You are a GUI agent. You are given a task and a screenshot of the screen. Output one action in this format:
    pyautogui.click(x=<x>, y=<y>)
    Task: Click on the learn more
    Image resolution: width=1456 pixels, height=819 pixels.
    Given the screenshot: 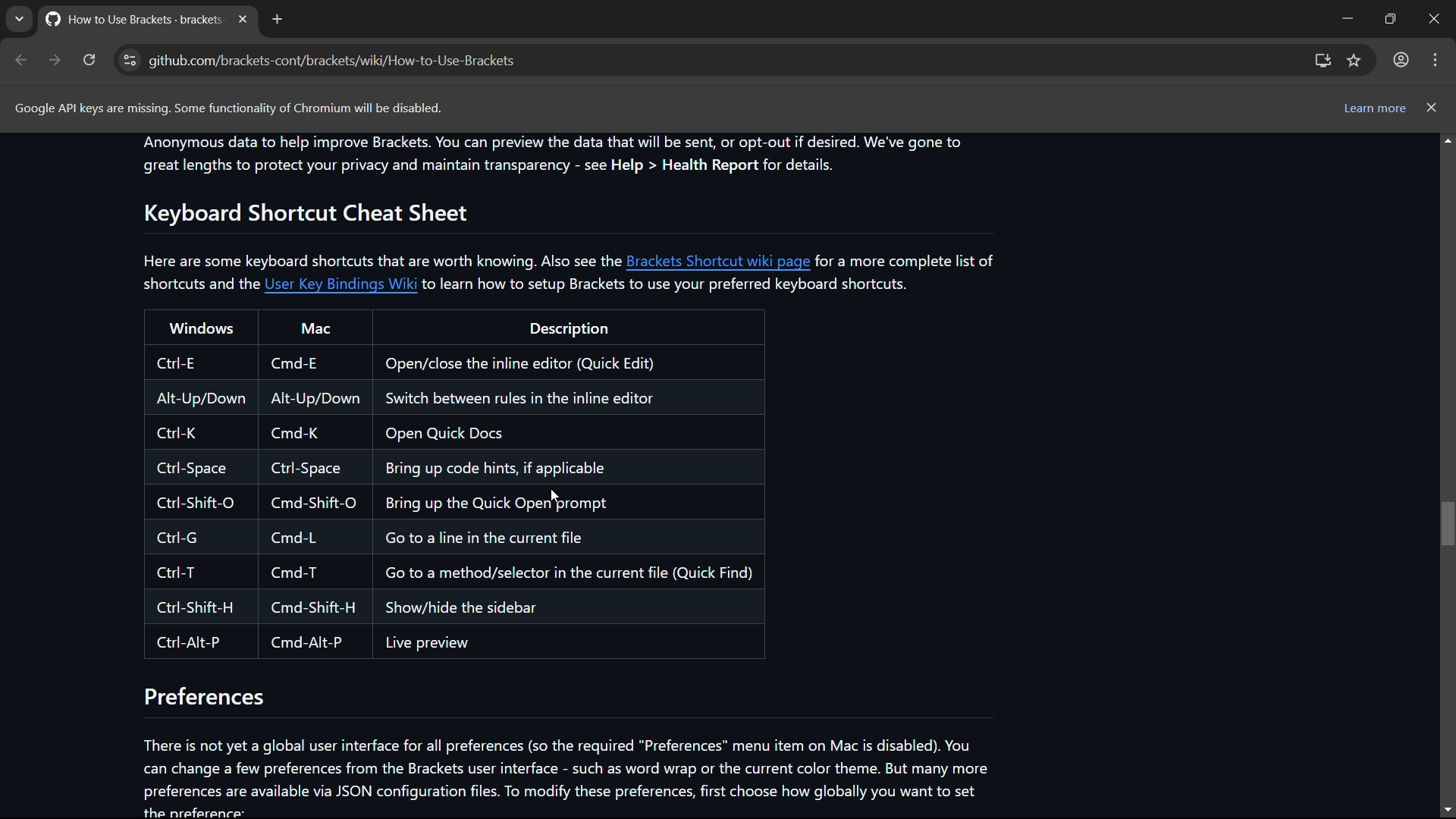 What is the action you would take?
    pyautogui.click(x=1373, y=110)
    